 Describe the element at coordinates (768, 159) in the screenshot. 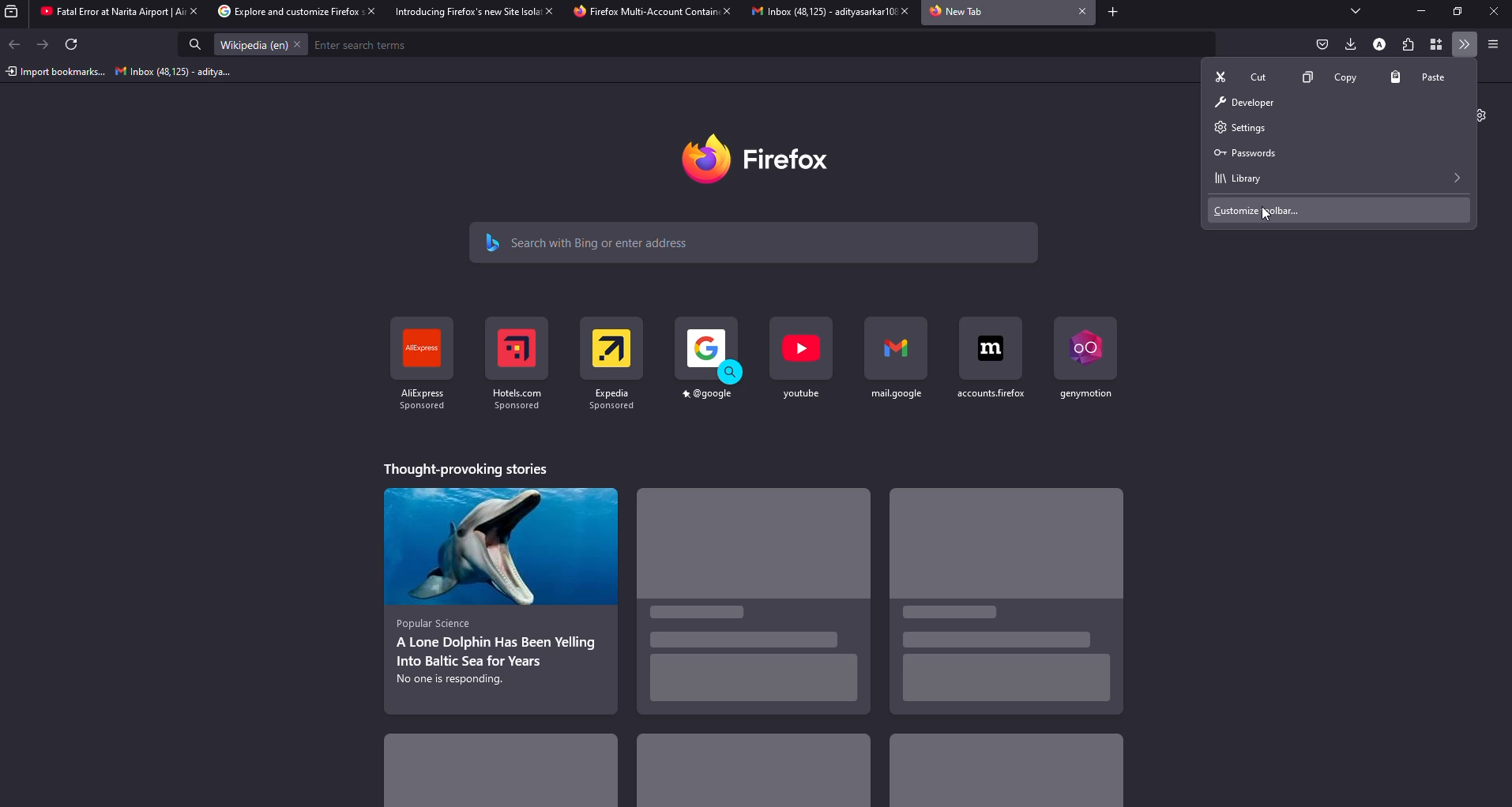

I see `firefox` at that location.